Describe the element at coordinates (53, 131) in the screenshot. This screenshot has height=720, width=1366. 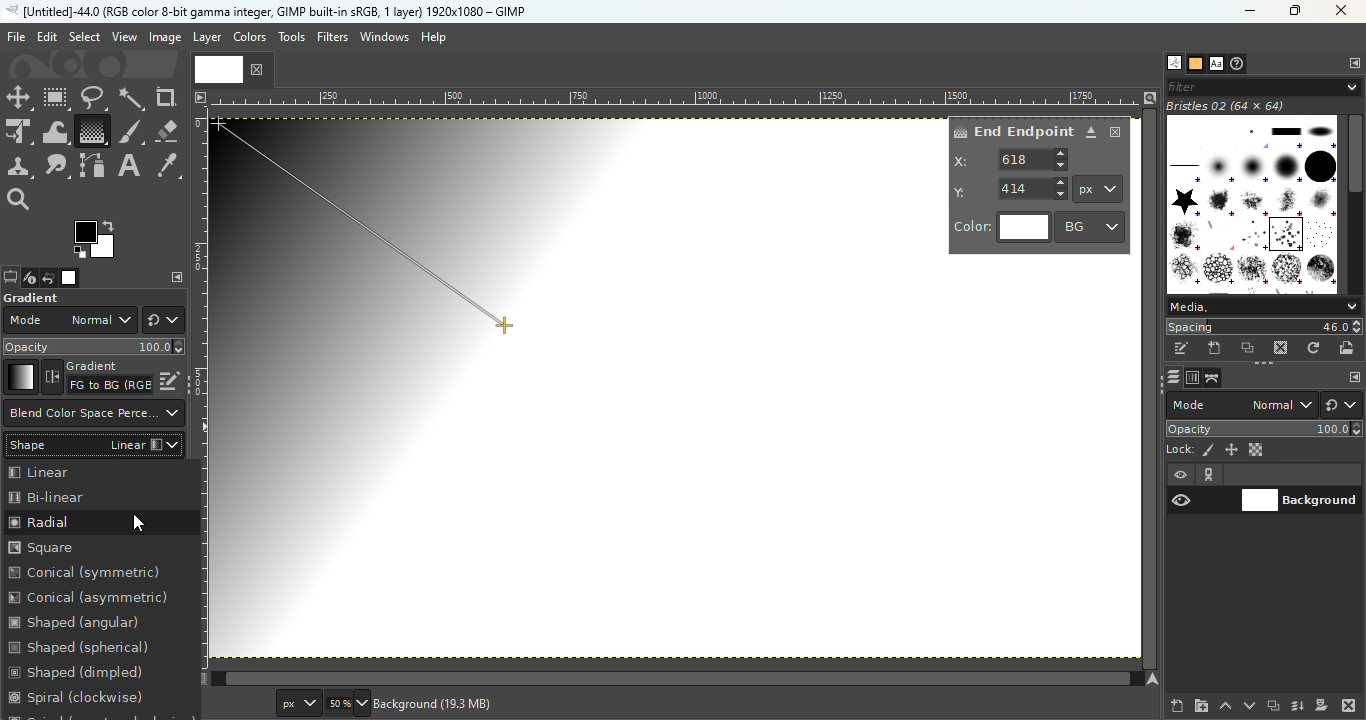
I see `Wrap transform` at that location.